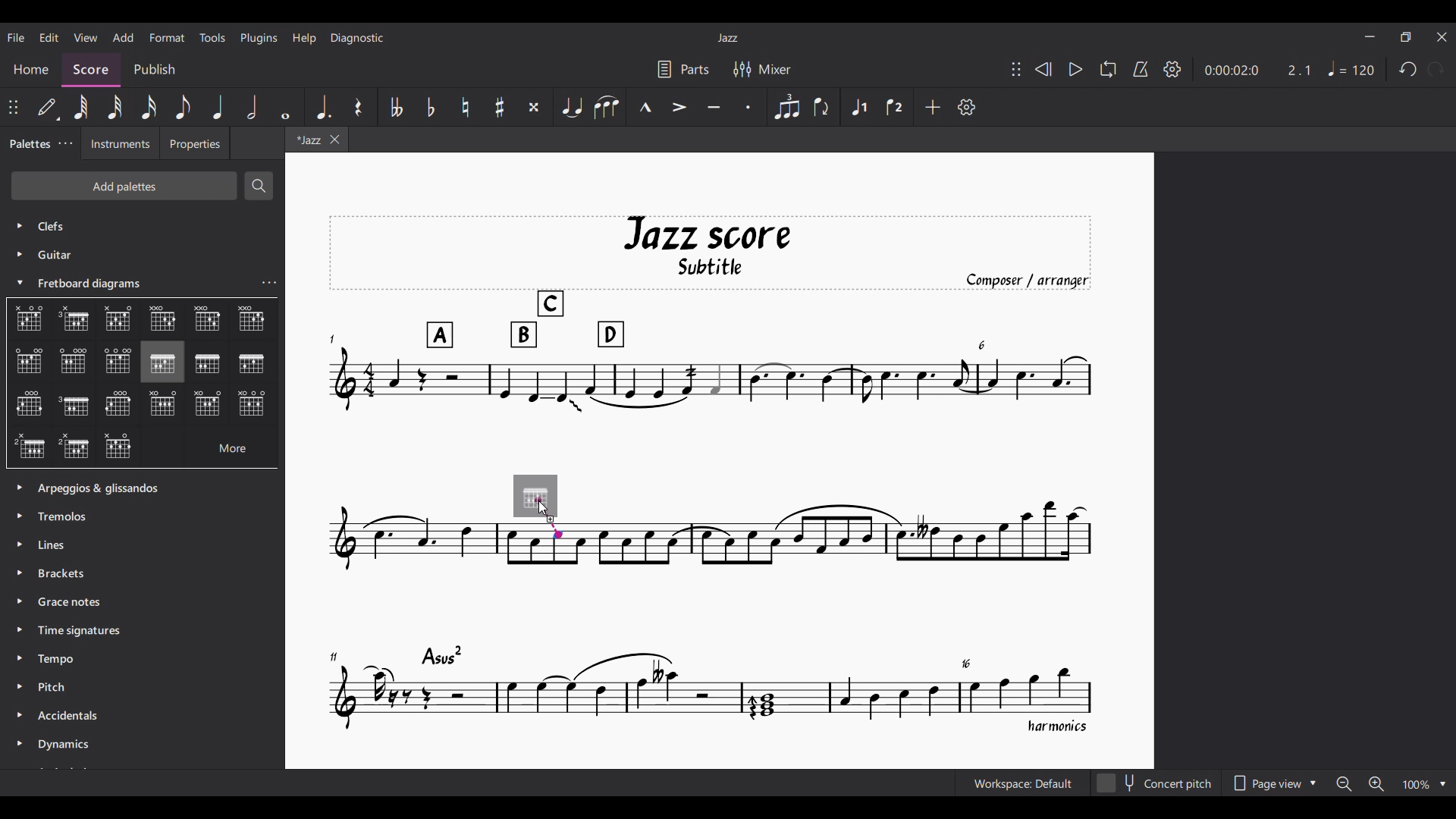  I want to click on Indicates addition, so click(551, 519).